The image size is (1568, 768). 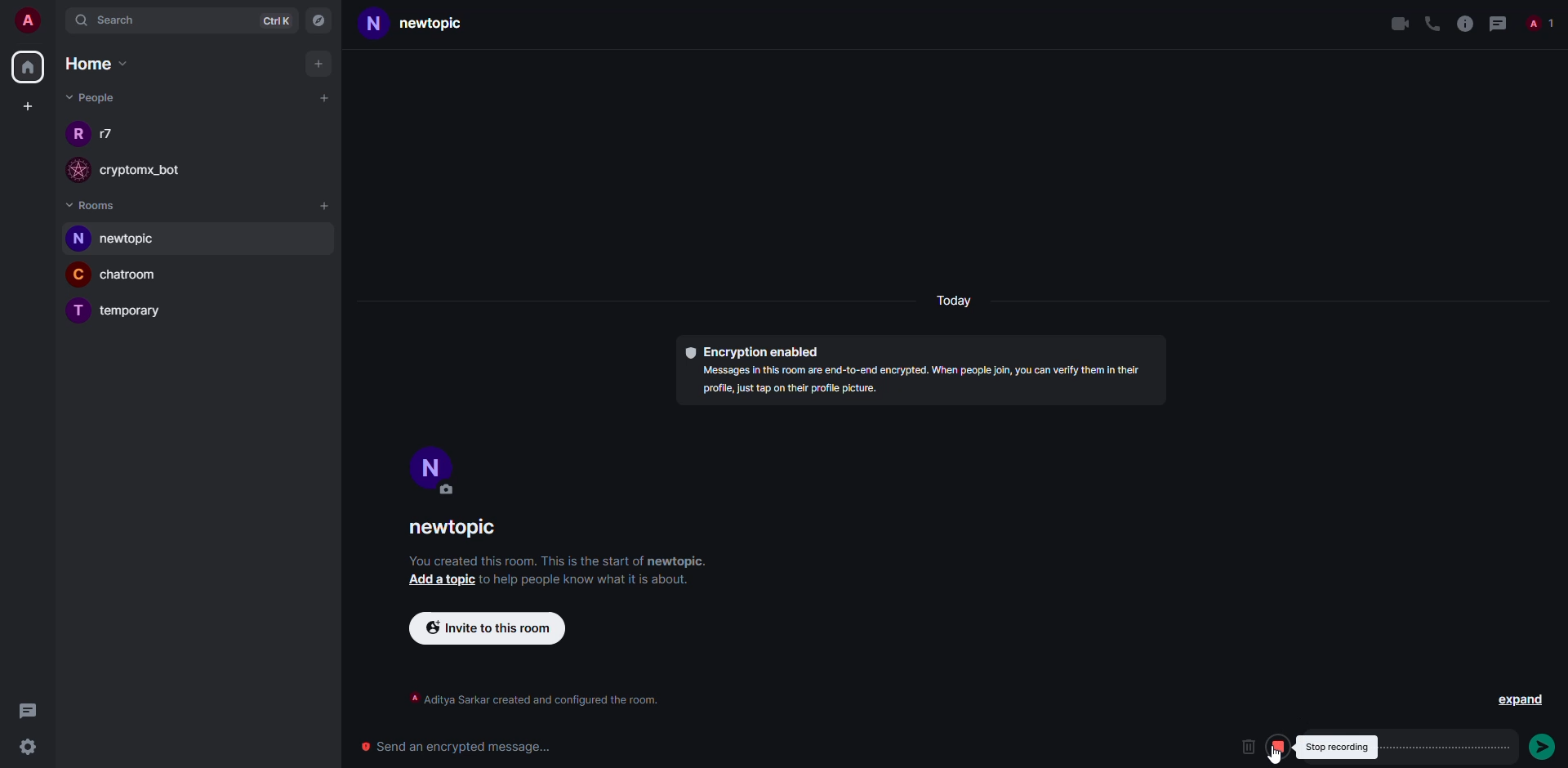 What do you see at coordinates (1429, 23) in the screenshot?
I see `voice call` at bounding box center [1429, 23].